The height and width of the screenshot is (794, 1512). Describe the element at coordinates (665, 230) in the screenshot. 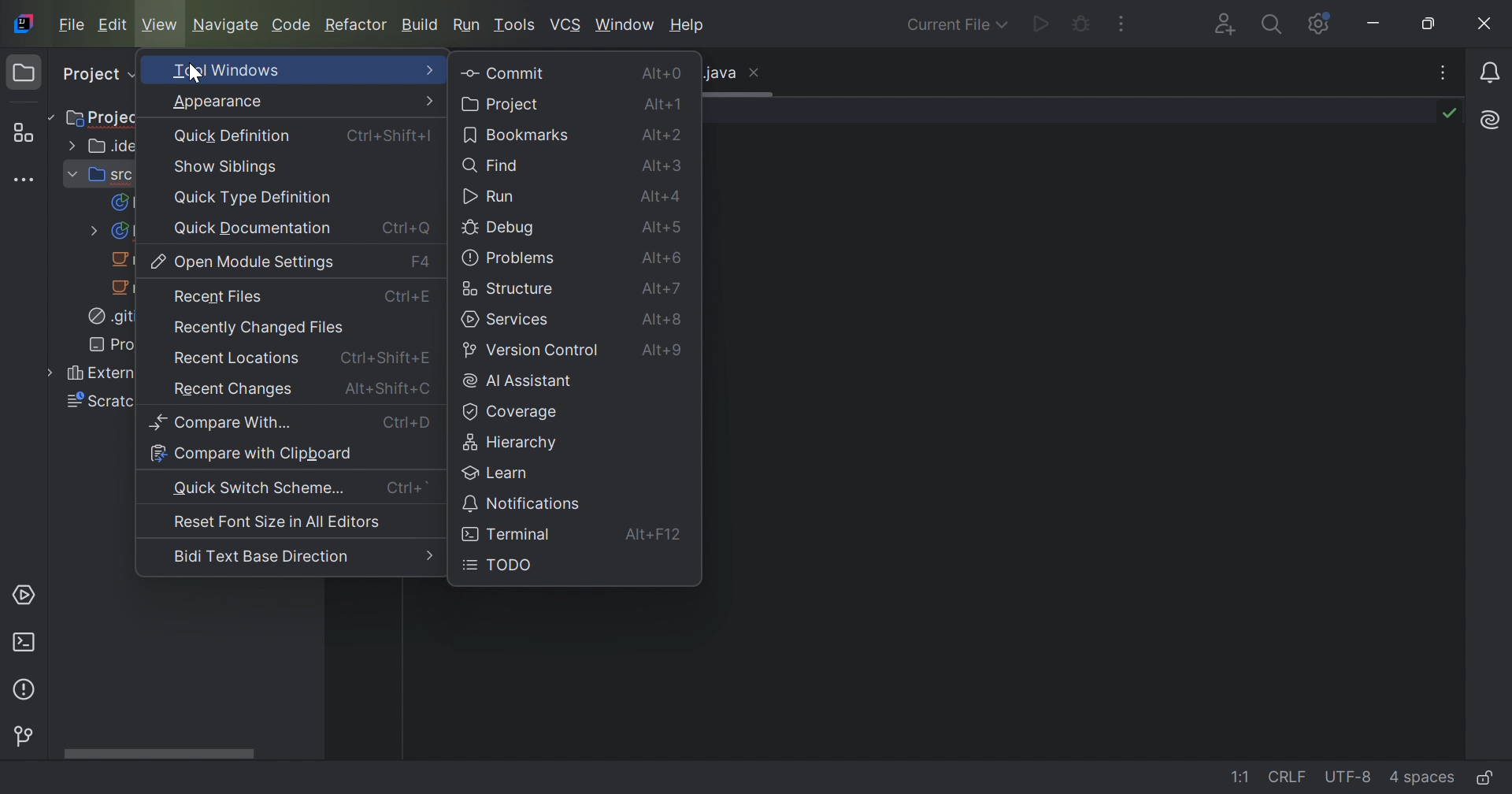

I see `Alt+5` at that location.